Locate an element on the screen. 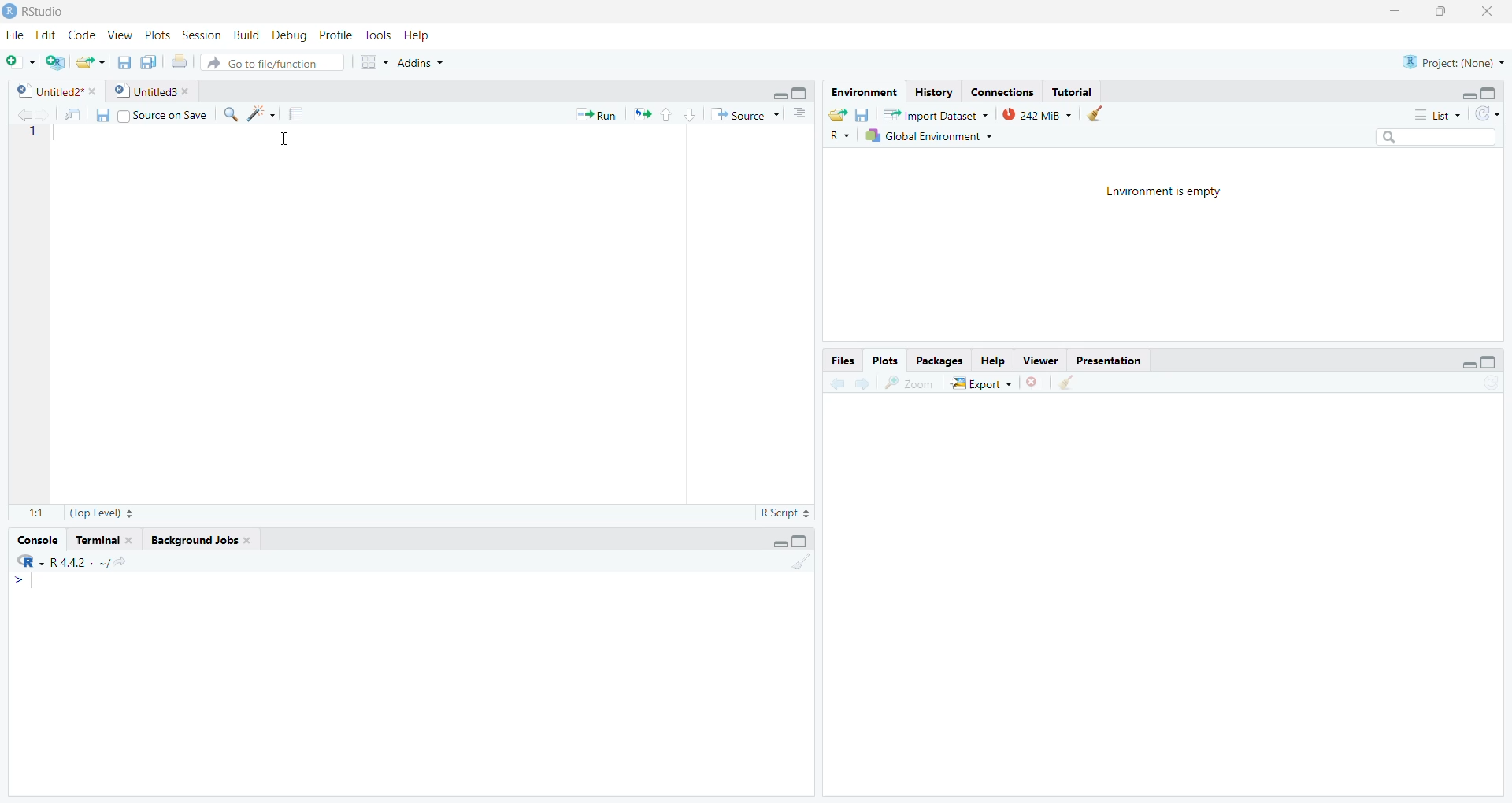 The image size is (1512, 803). Environment is empty is located at coordinates (1156, 189).